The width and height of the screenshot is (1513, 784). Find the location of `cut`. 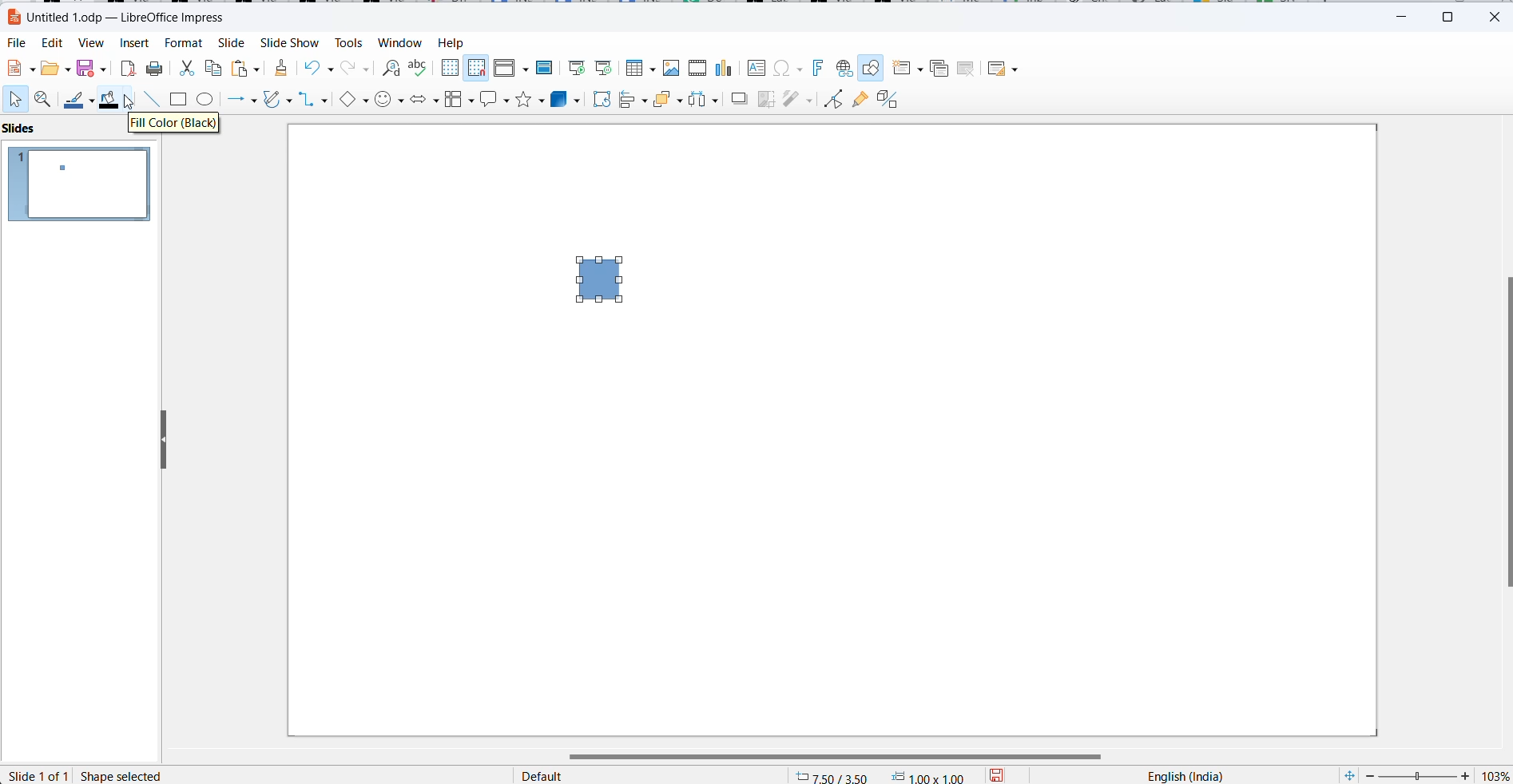

cut is located at coordinates (186, 71).